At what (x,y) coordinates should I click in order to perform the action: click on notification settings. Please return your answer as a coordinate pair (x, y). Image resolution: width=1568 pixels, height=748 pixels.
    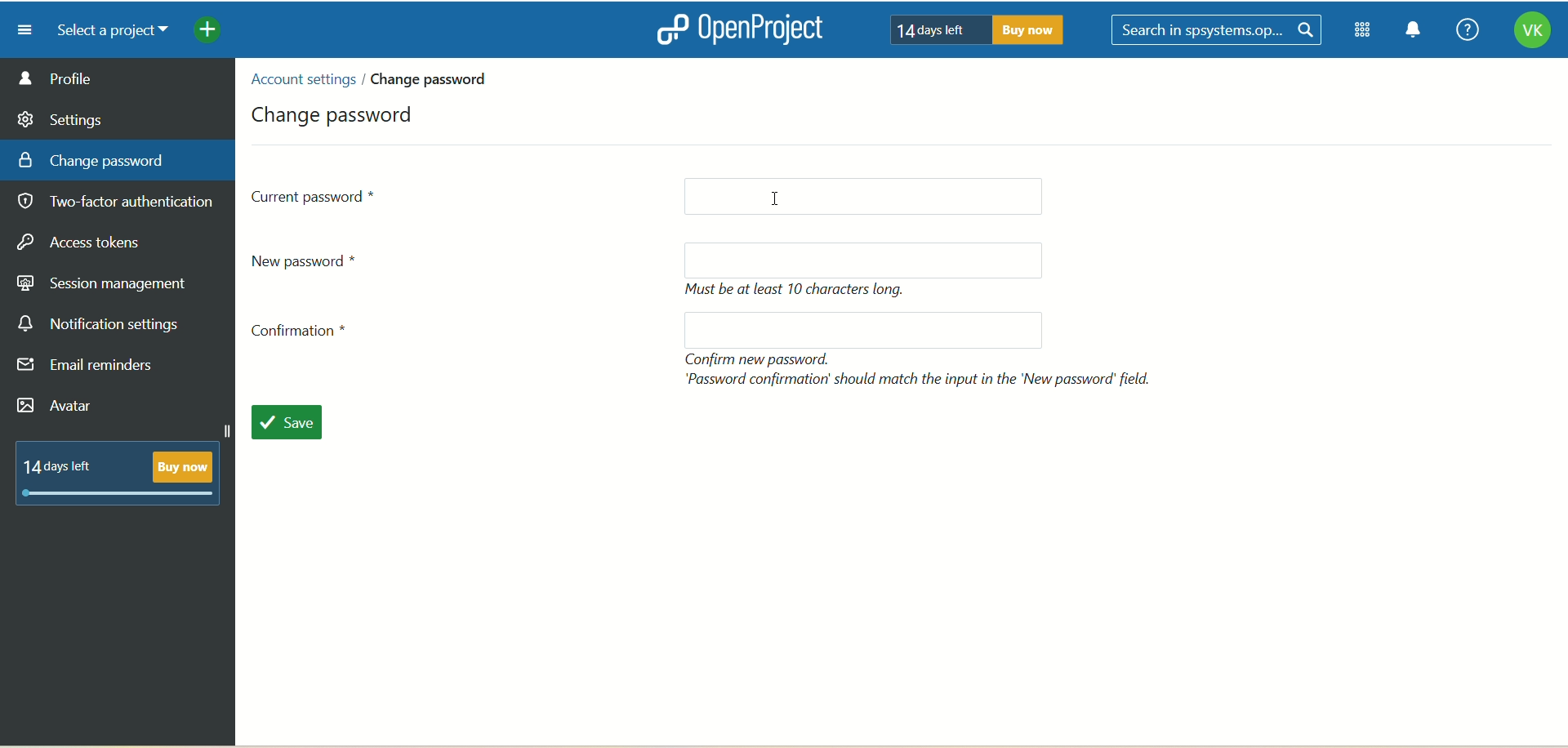
    Looking at the image, I should click on (99, 324).